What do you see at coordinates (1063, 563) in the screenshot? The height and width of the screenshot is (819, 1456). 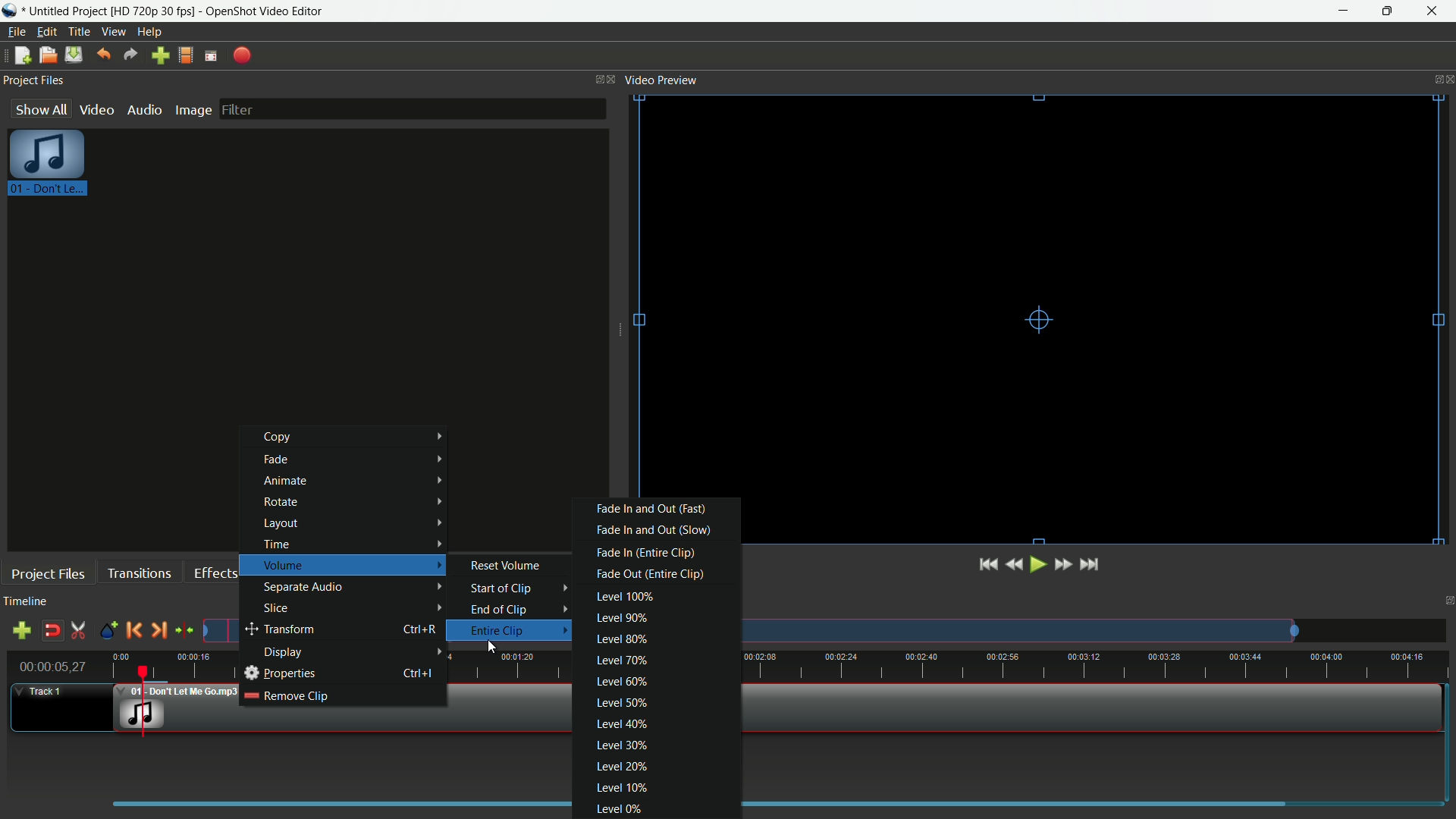 I see `quickly play forward` at bounding box center [1063, 563].